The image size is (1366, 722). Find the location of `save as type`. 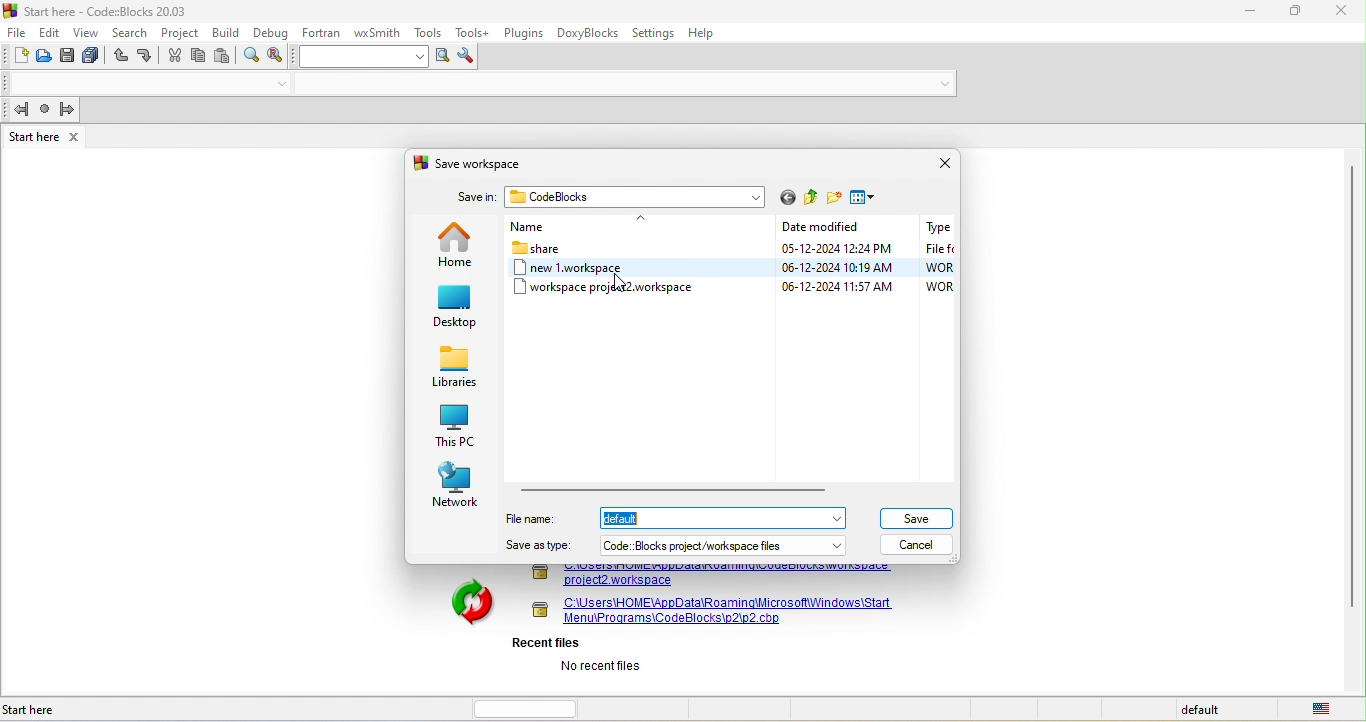

save as type is located at coordinates (539, 546).